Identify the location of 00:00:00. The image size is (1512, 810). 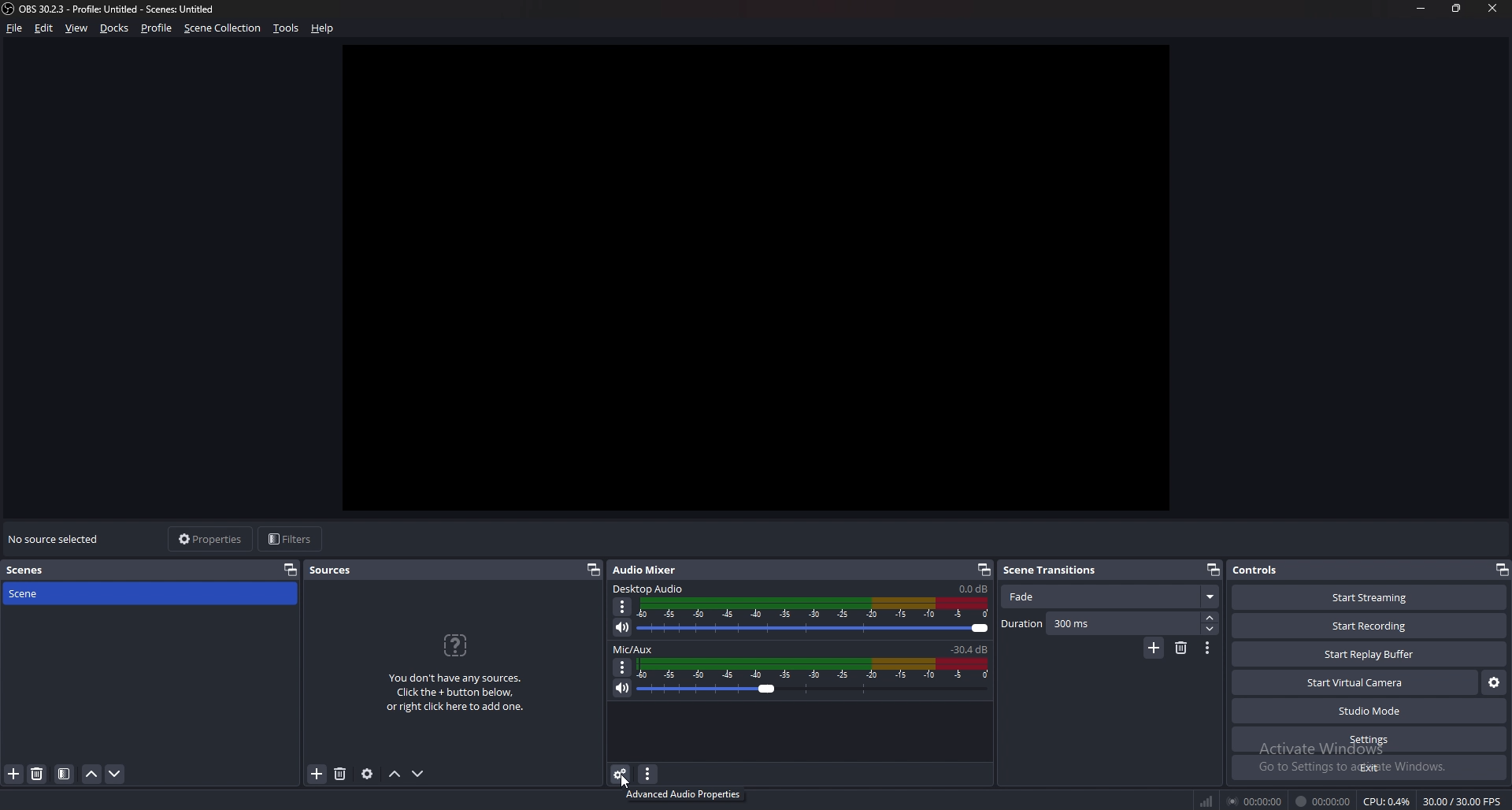
(1322, 802).